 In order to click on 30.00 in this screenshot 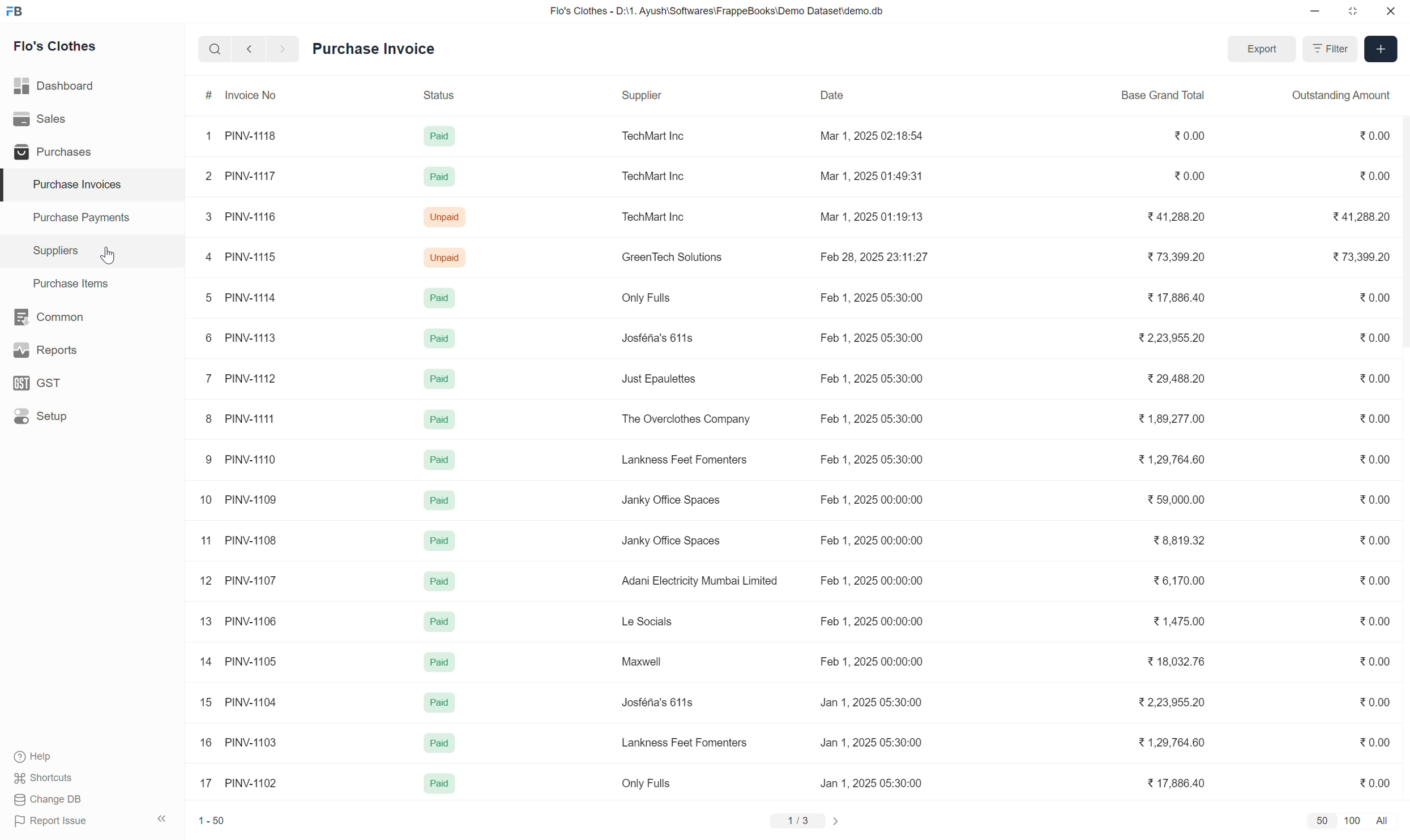, I will do `click(1371, 458)`.